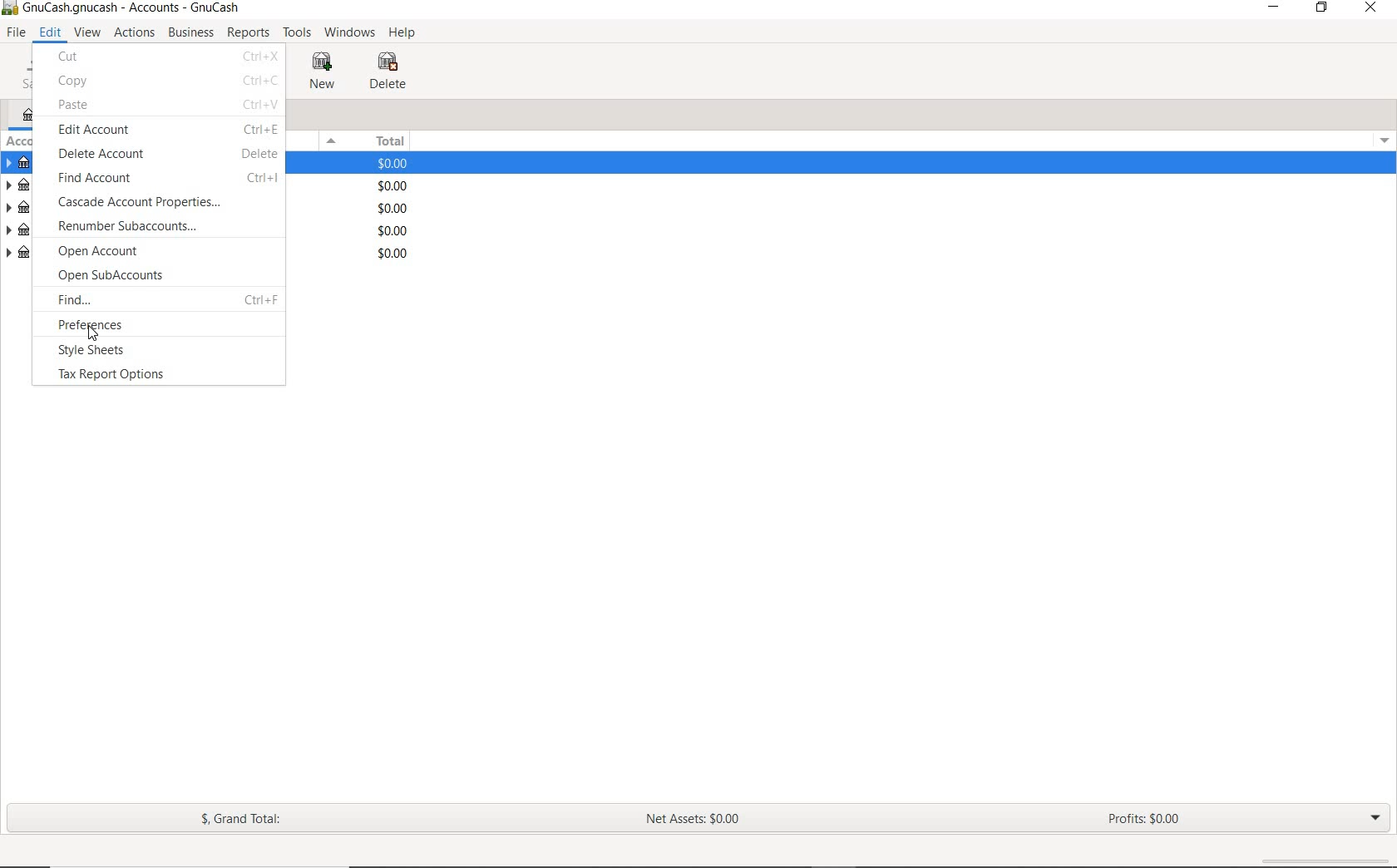 The height and width of the screenshot is (868, 1397). Describe the element at coordinates (28, 114) in the screenshot. I see `ACCOUNTS` at that location.